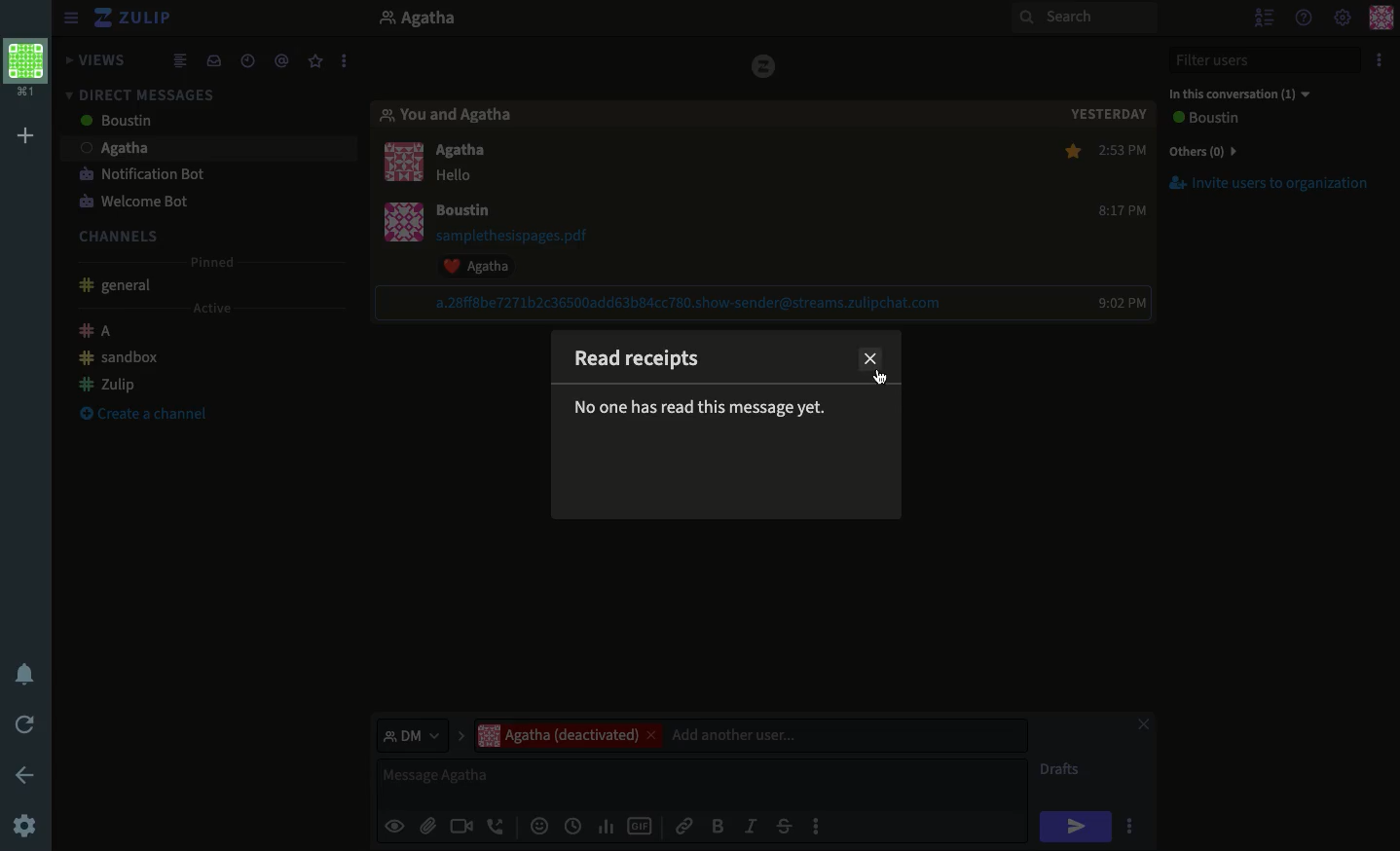 The image size is (1400, 851). Describe the element at coordinates (427, 825) in the screenshot. I see `File attachment` at that location.